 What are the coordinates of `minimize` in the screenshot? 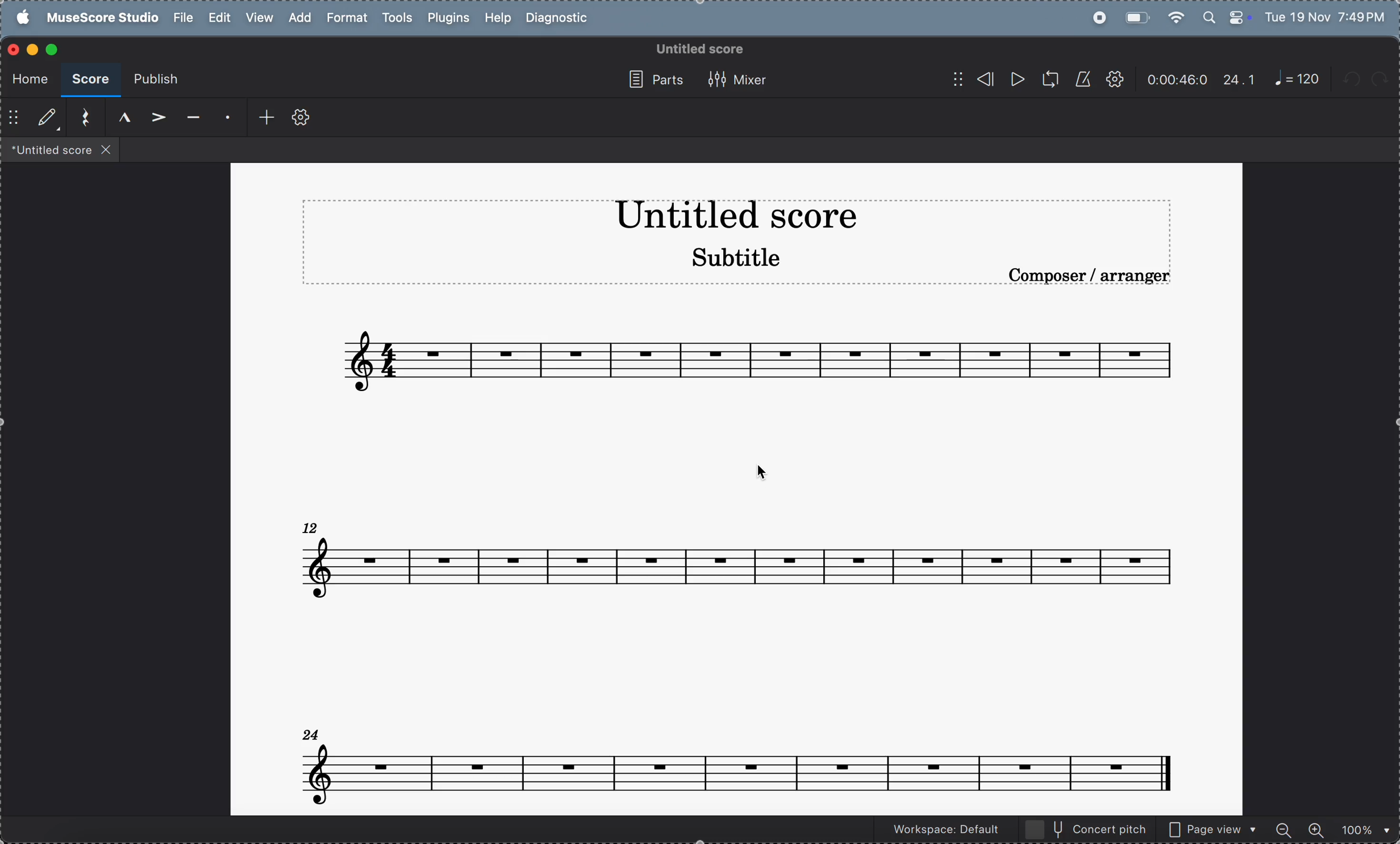 It's located at (32, 49).